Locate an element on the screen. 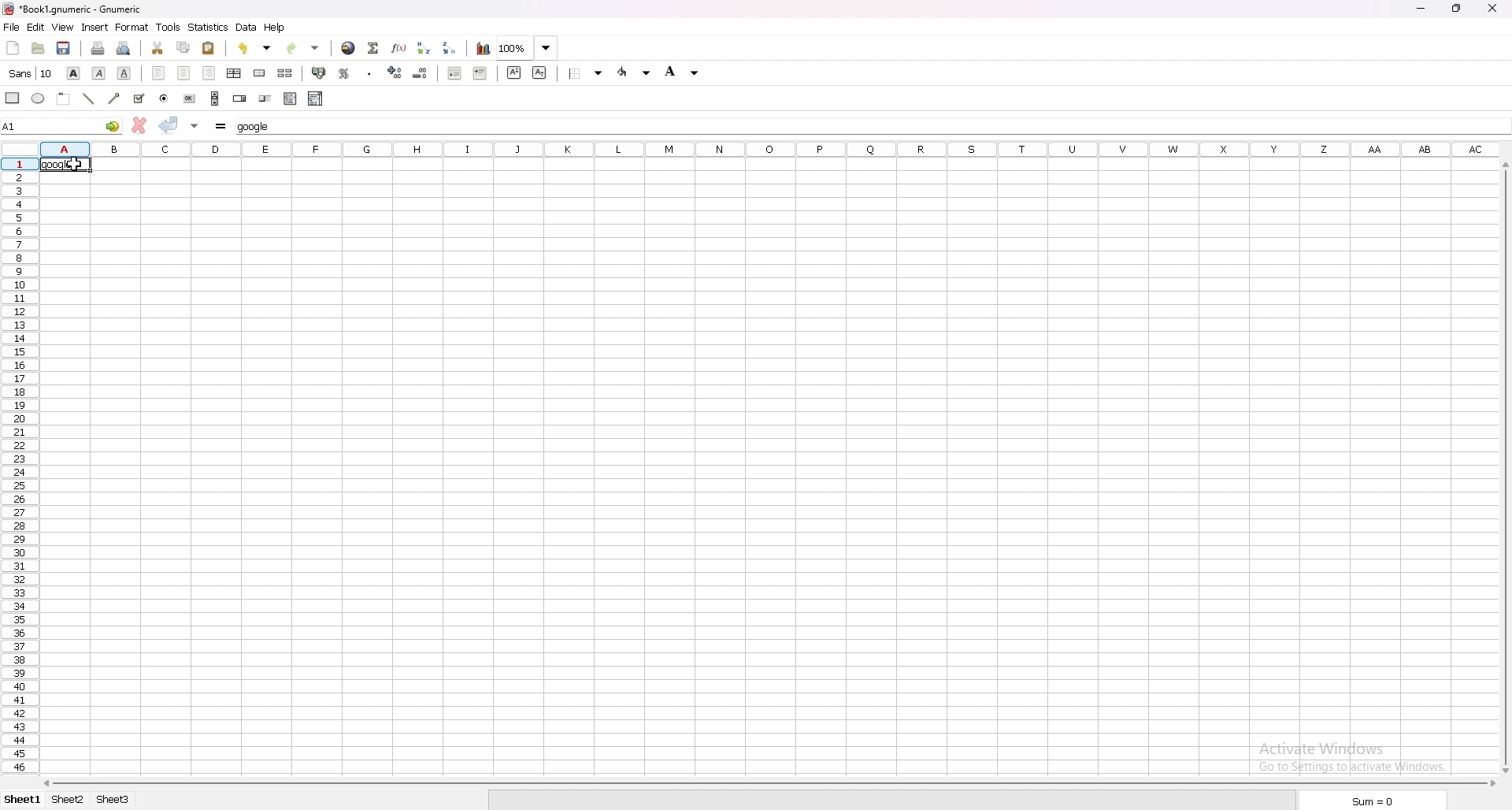  merge cell is located at coordinates (261, 73).